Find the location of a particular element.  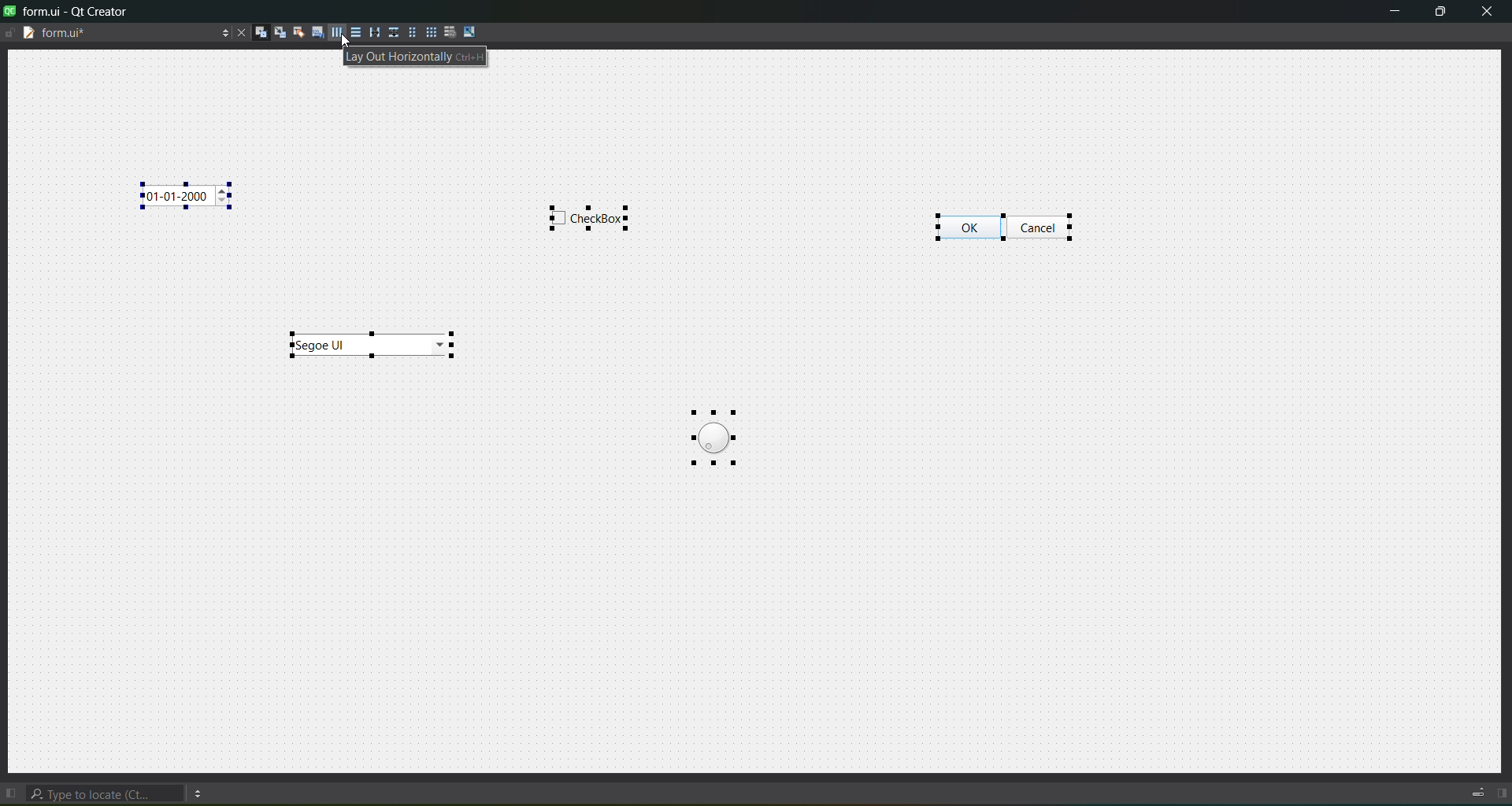

close document is located at coordinates (239, 30).